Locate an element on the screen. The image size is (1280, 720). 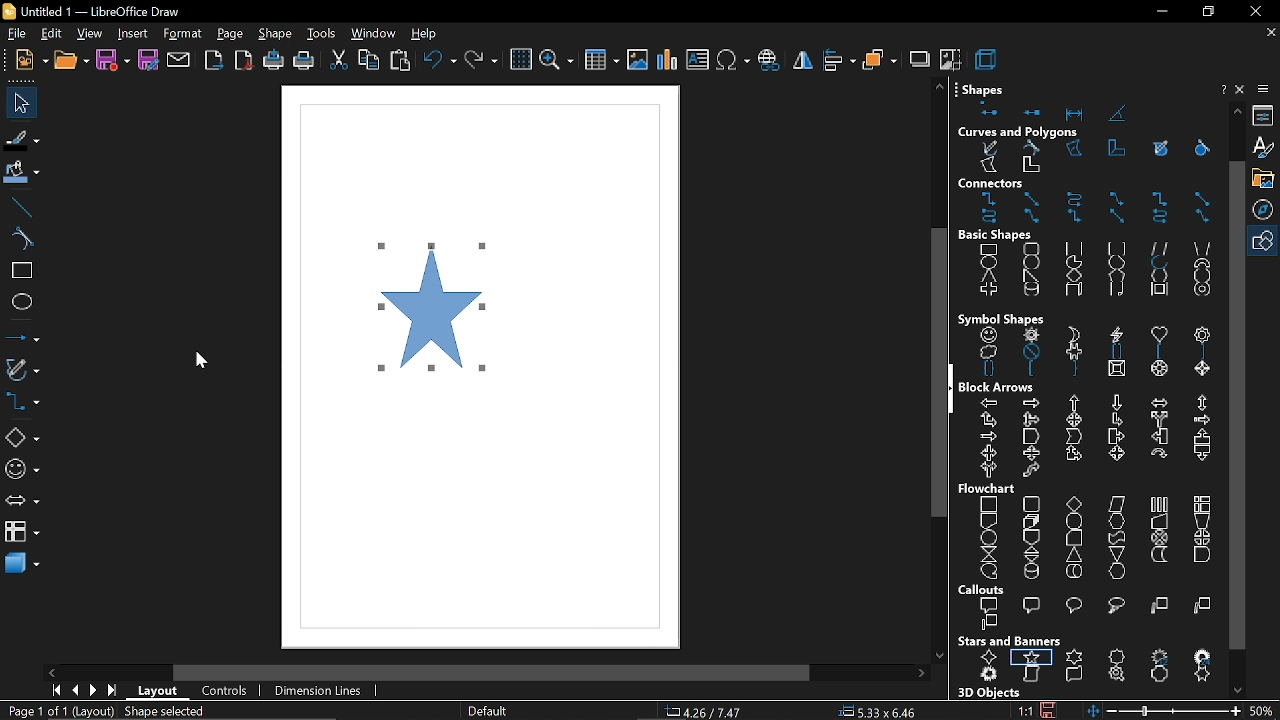
connectors is located at coordinates (1088, 210).